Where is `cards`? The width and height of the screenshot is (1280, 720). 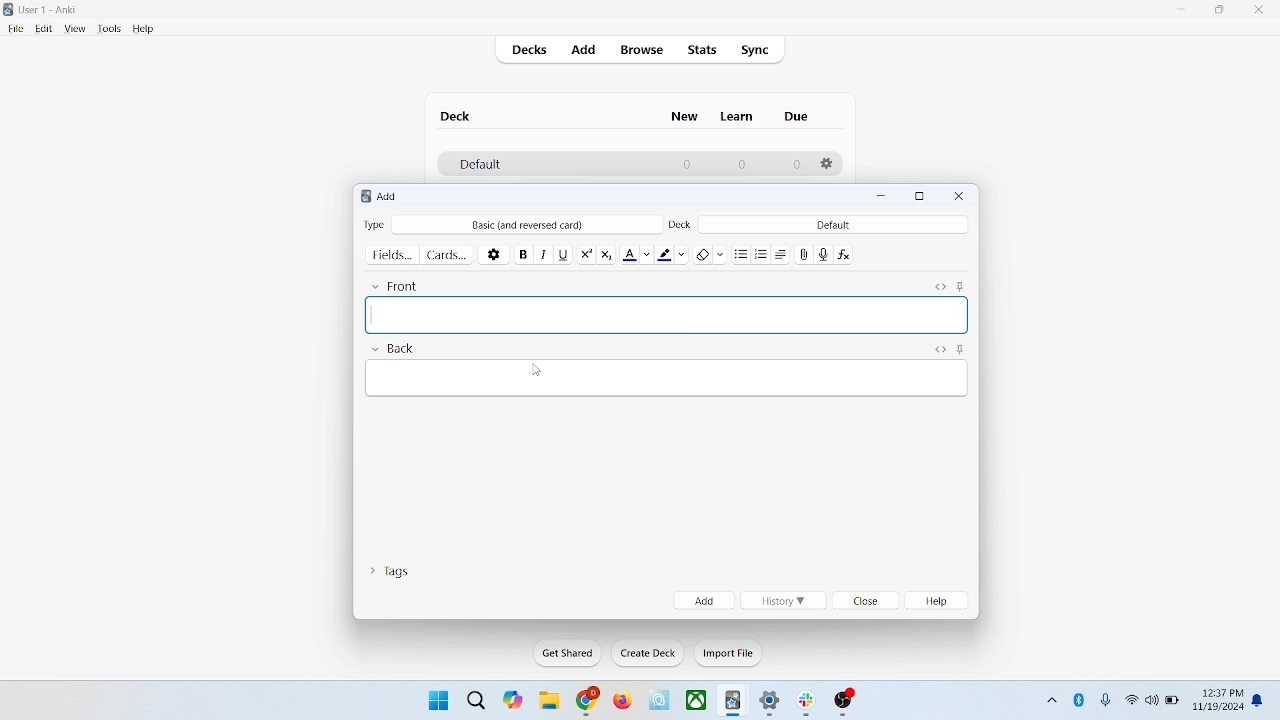
cards is located at coordinates (447, 254).